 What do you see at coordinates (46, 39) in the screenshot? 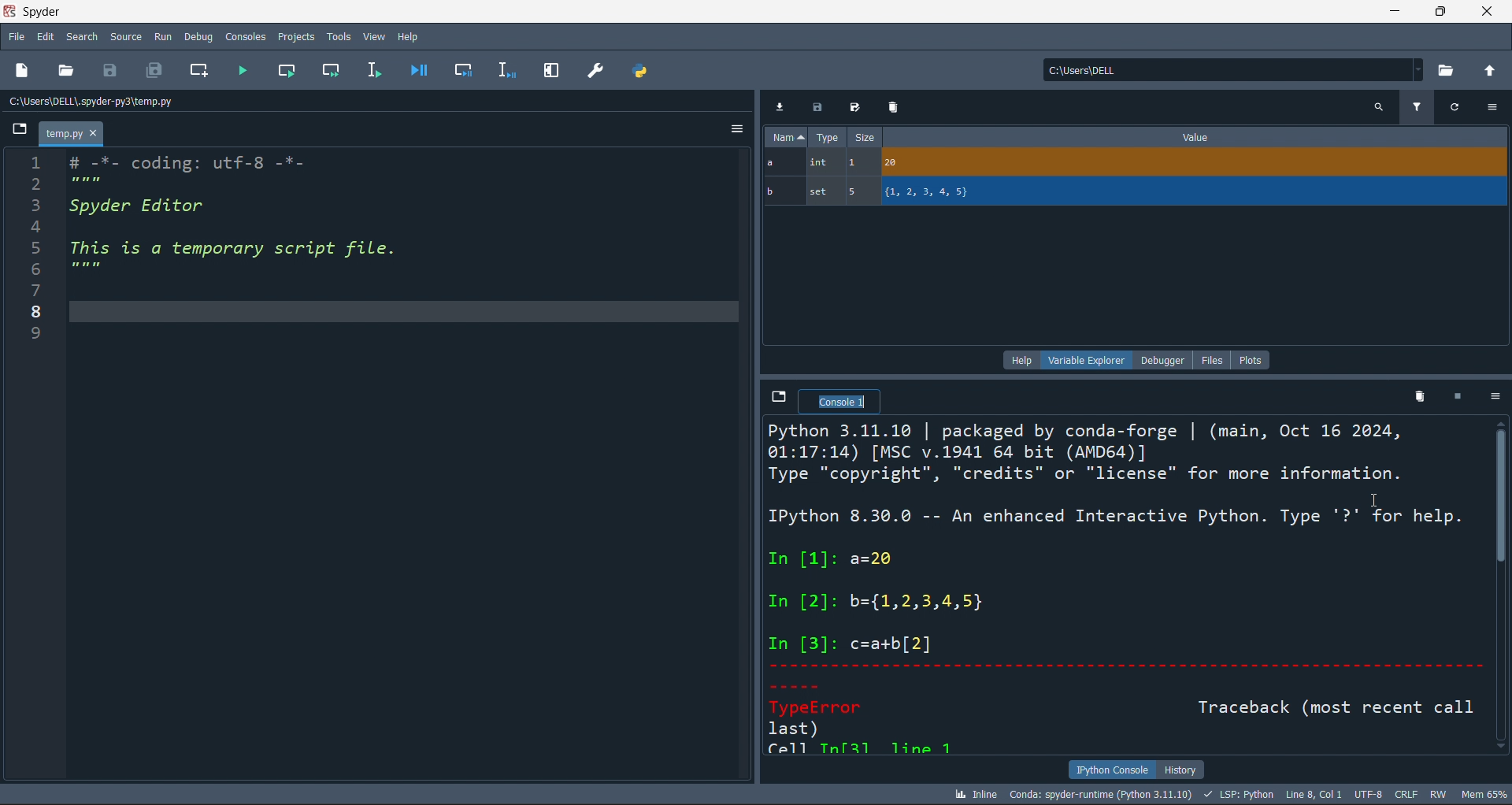
I see `edit` at bounding box center [46, 39].